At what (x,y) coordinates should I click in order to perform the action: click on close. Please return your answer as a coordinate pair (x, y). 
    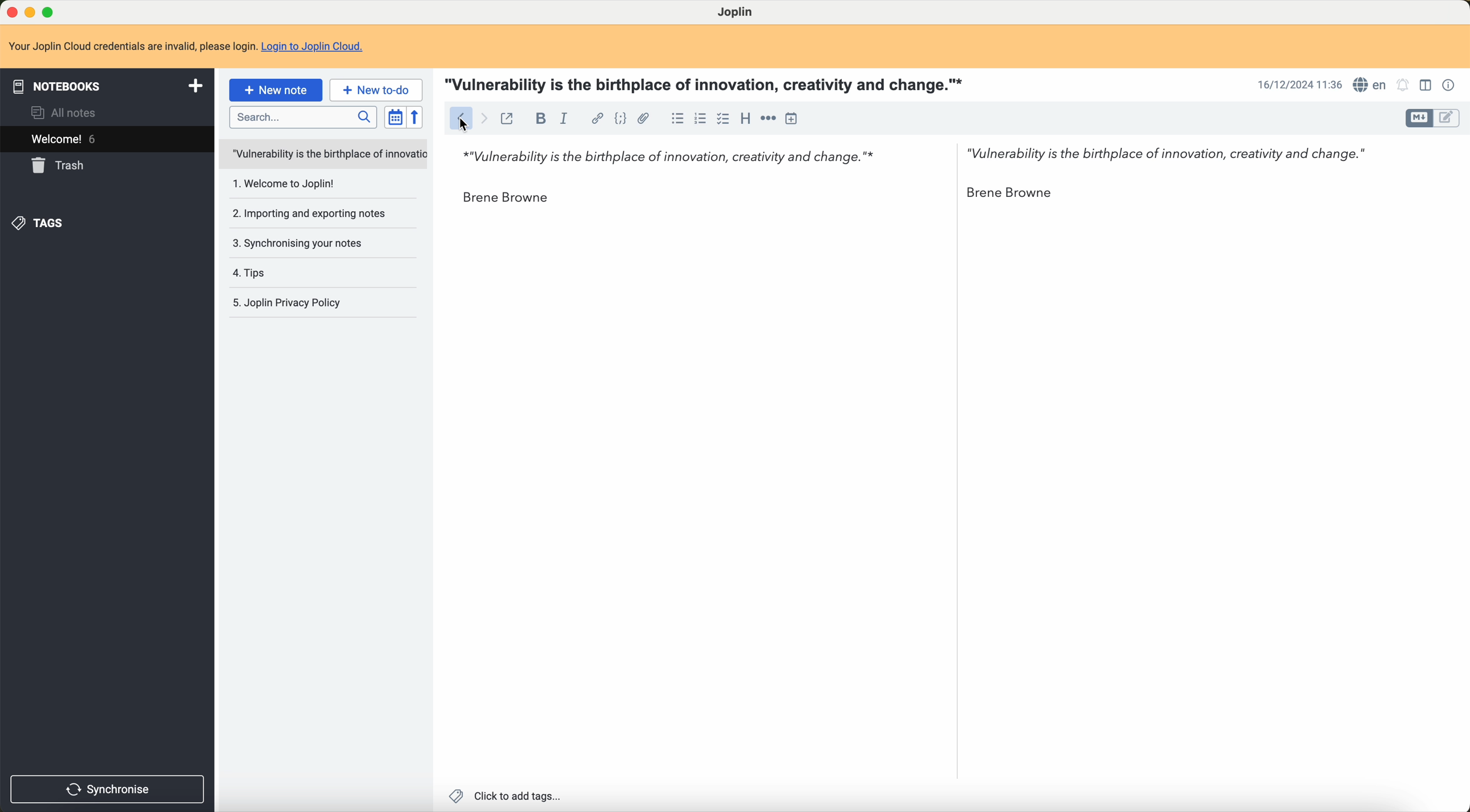
    Looking at the image, I should click on (10, 11).